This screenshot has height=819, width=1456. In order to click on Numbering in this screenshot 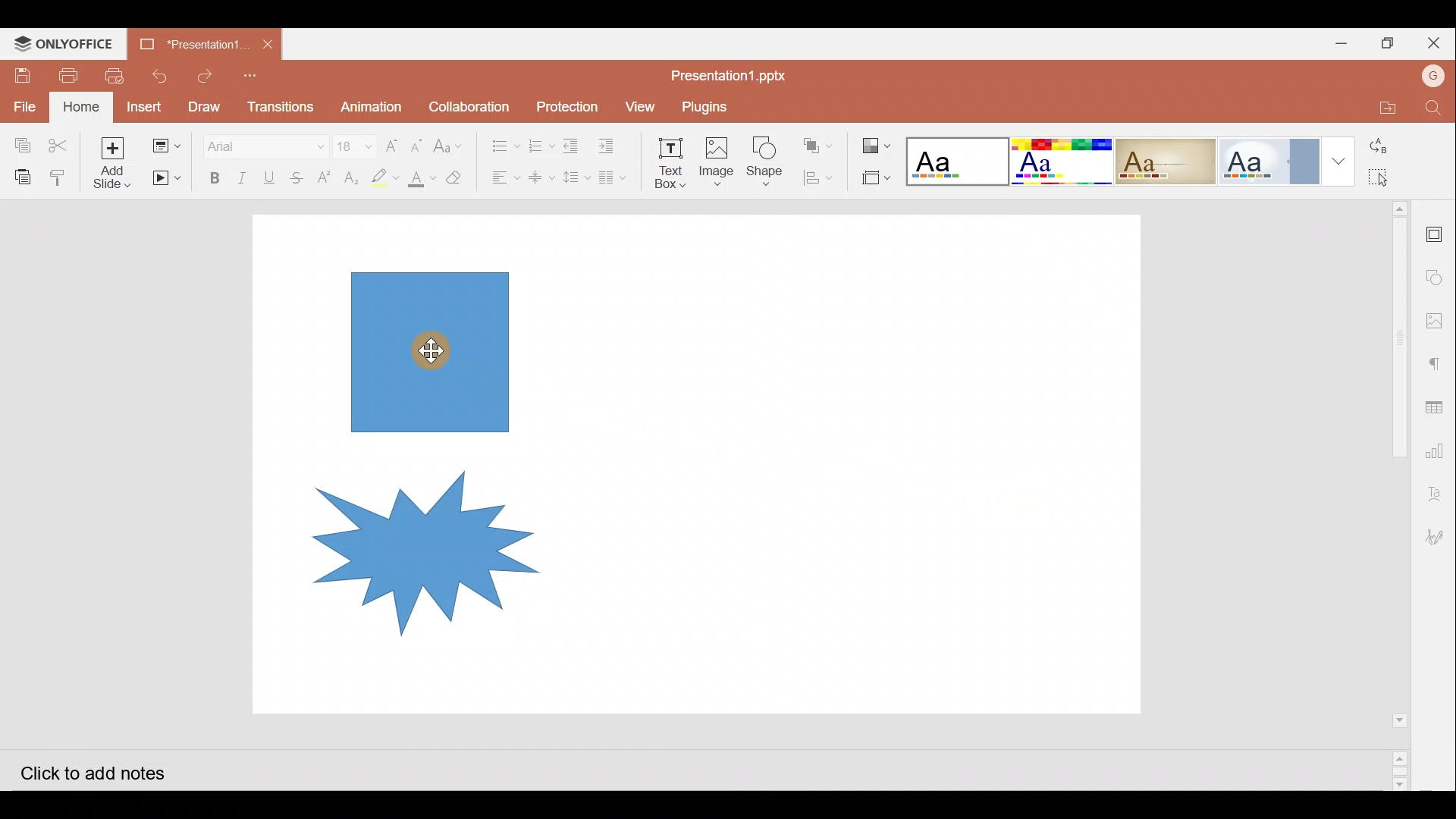, I will do `click(537, 143)`.